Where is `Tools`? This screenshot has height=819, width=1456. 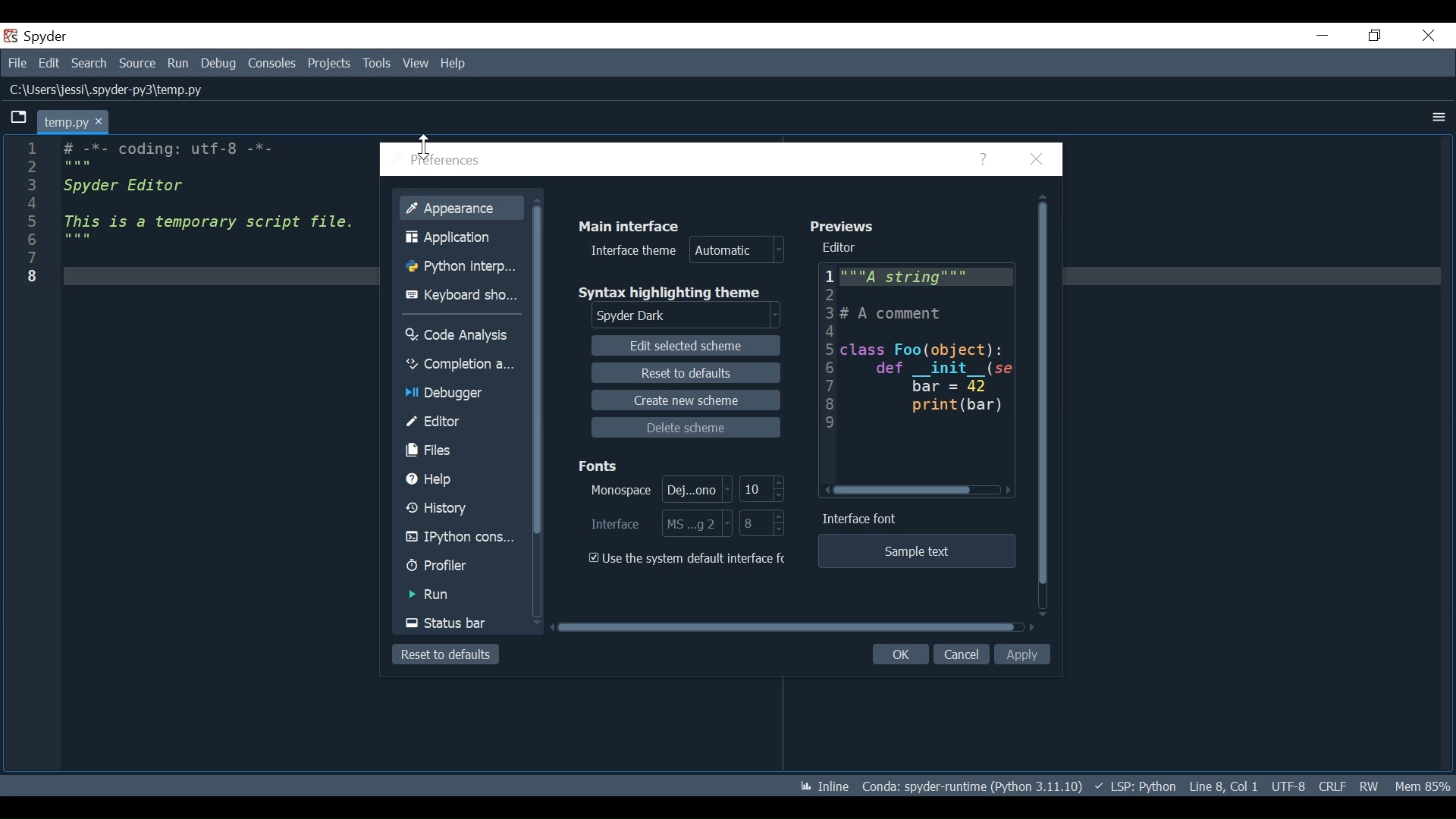
Tools is located at coordinates (375, 63).